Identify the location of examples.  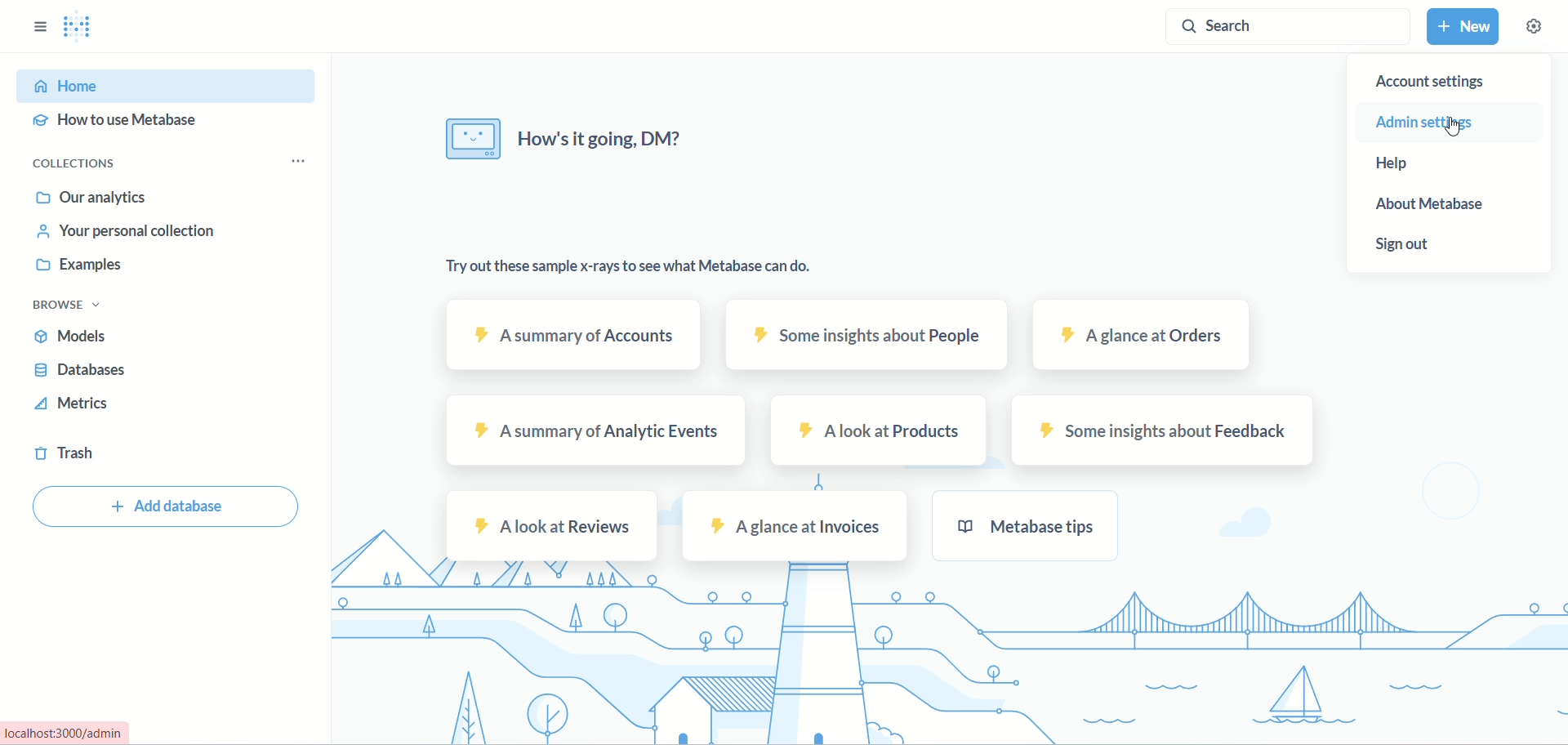
(82, 269).